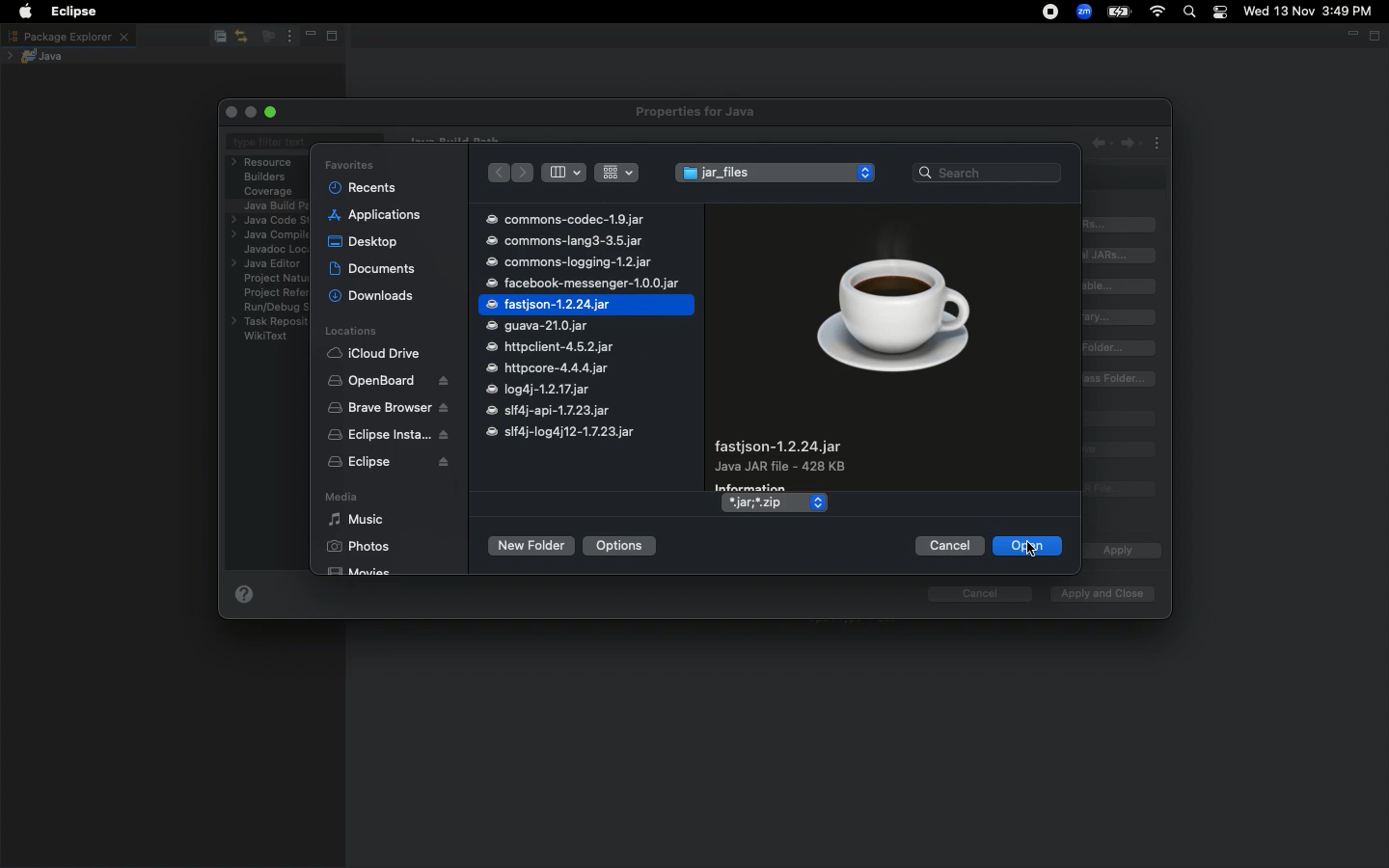  I want to click on Javadoc location, so click(273, 250).